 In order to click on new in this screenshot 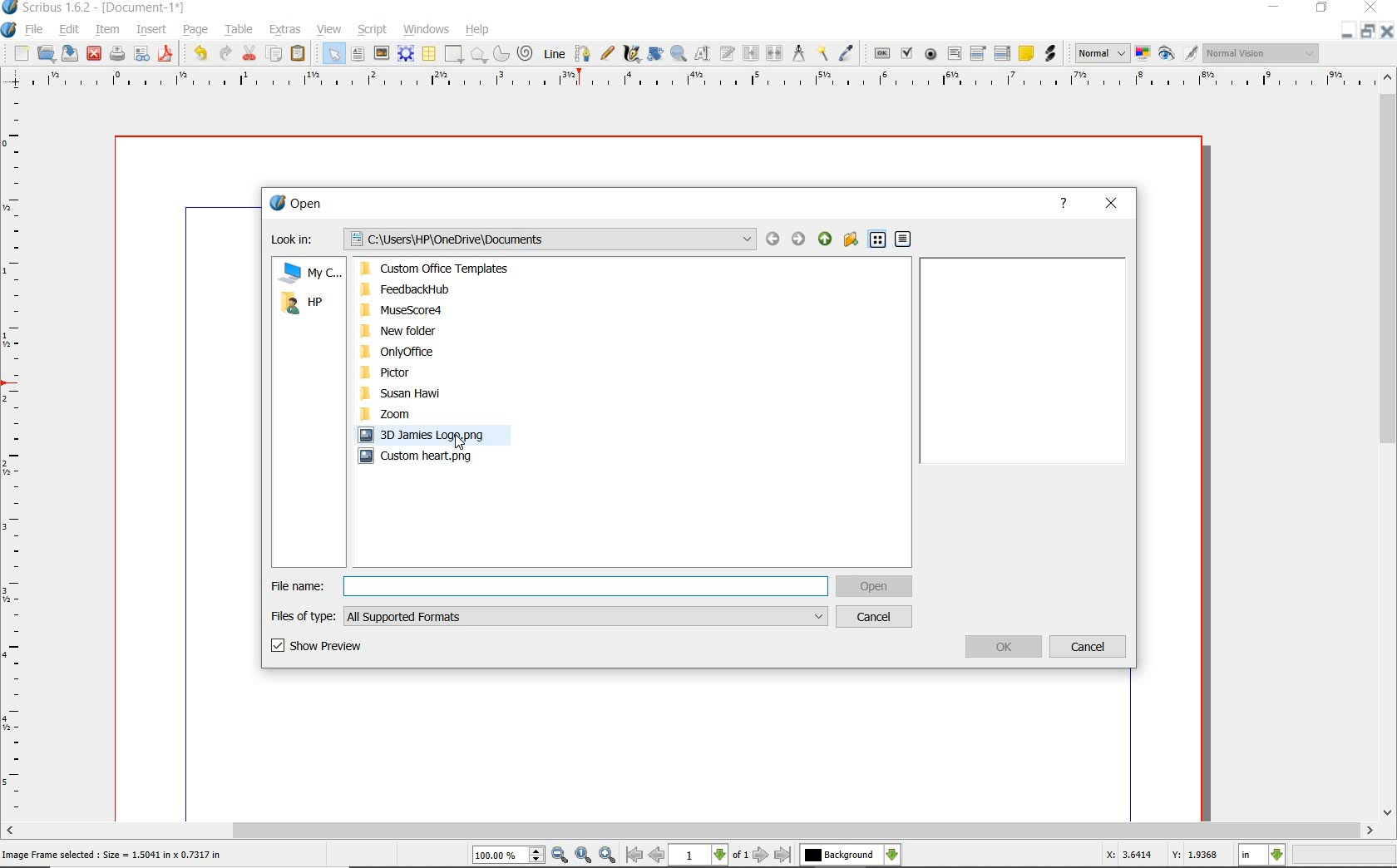, I will do `click(22, 55)`.